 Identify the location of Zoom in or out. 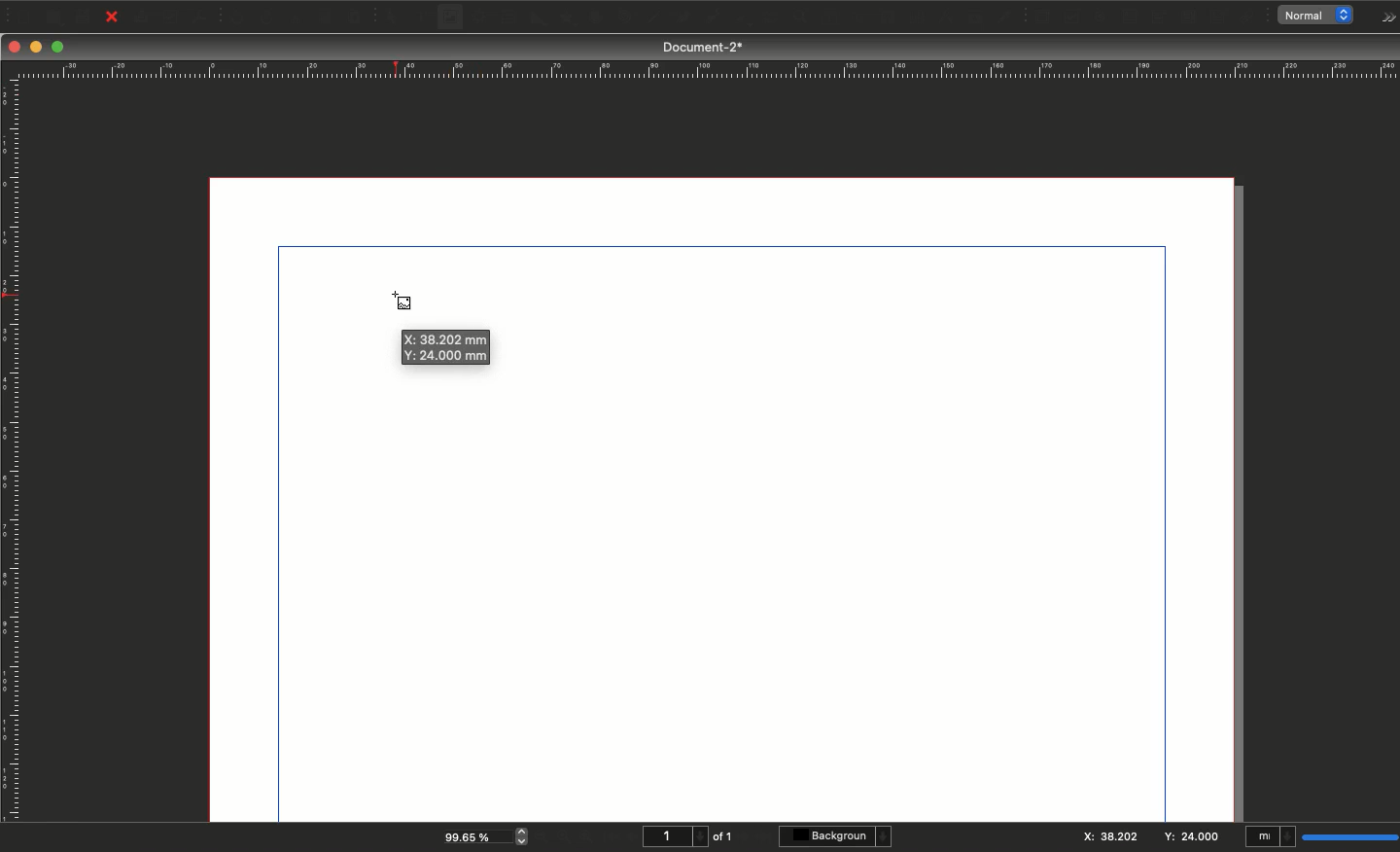
(773, 19).